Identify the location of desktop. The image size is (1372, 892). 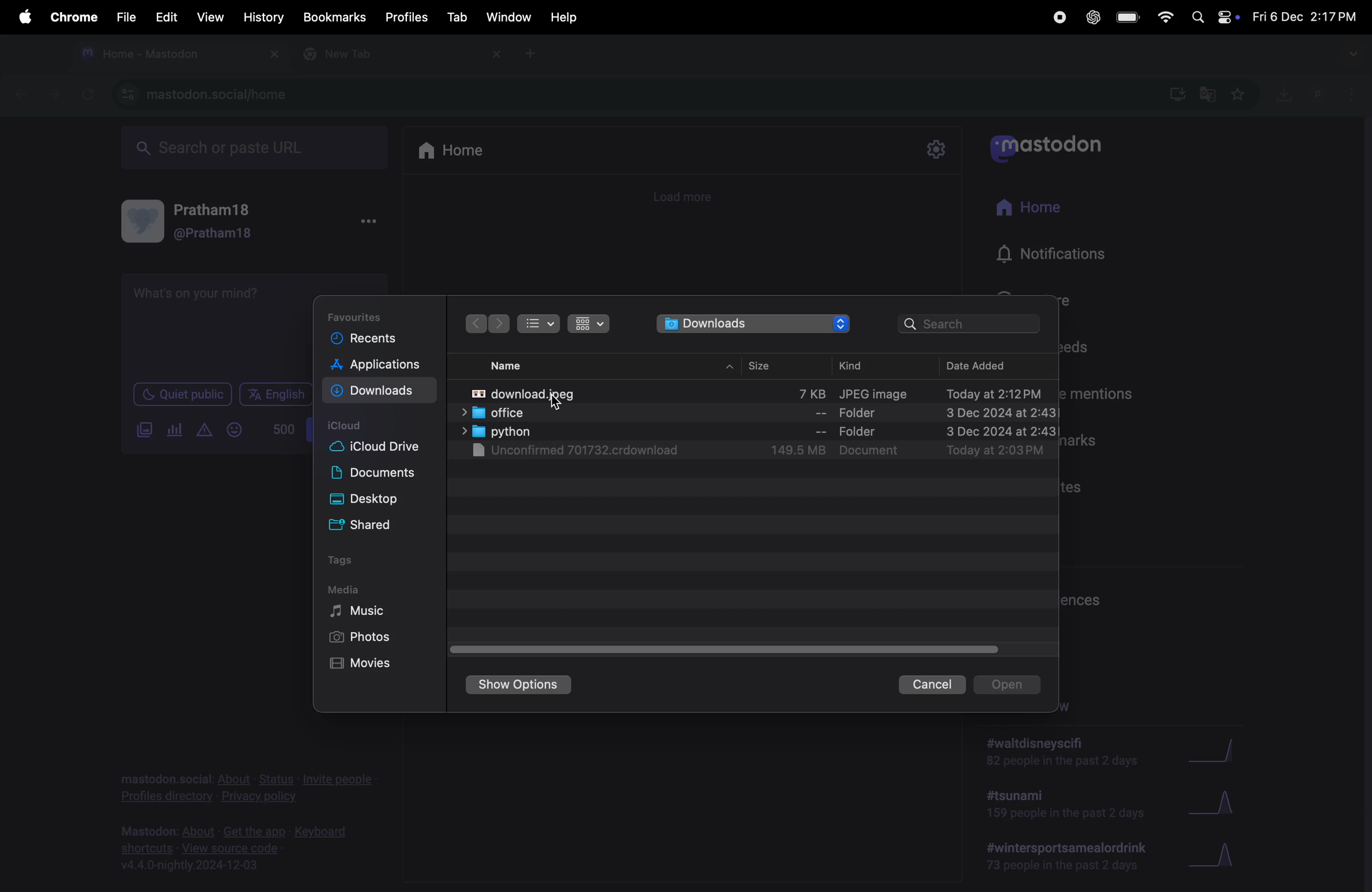
(369, 500).